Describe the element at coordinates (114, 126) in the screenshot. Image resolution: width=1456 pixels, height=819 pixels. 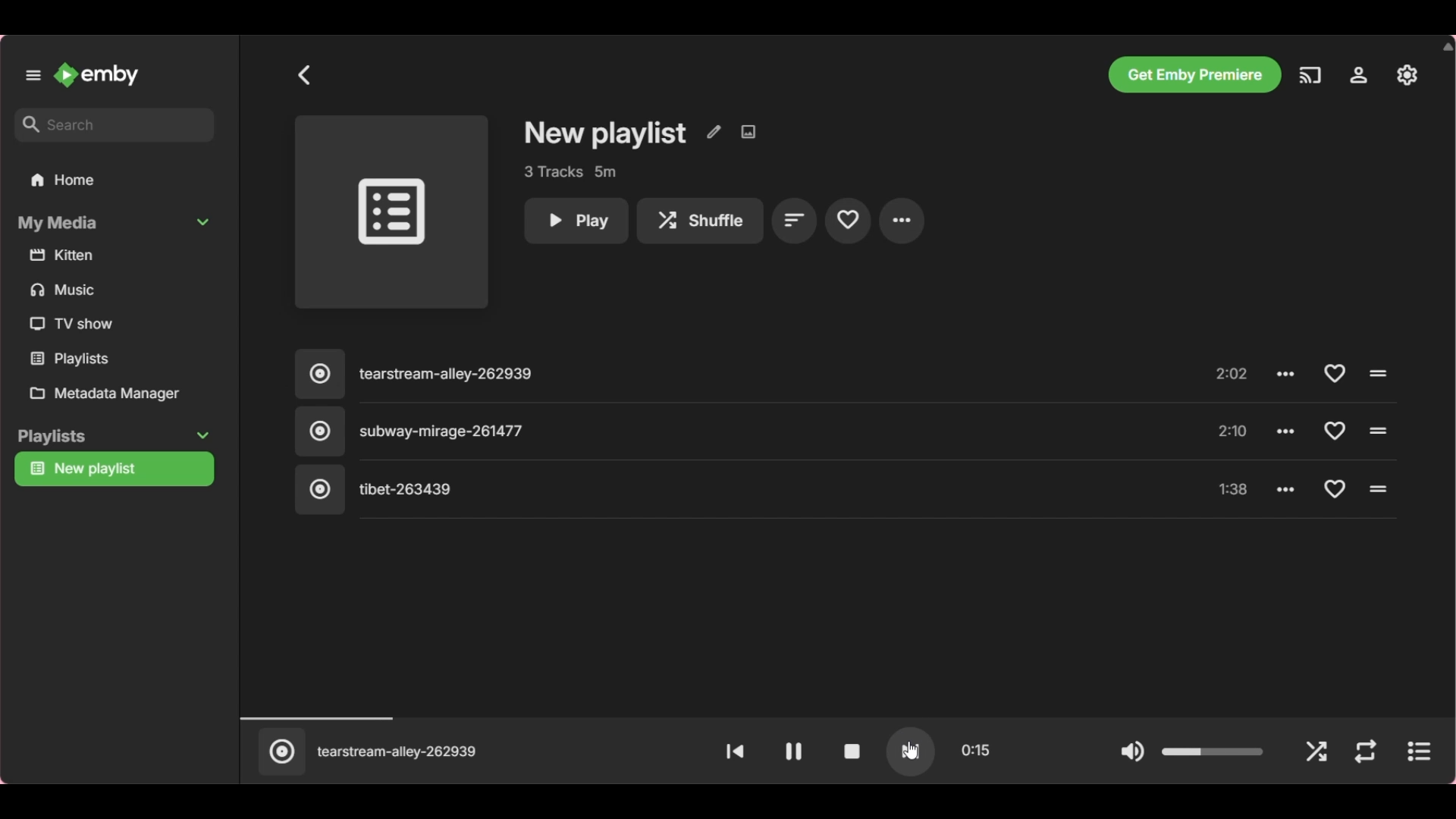
I see `Enter search` at that location.